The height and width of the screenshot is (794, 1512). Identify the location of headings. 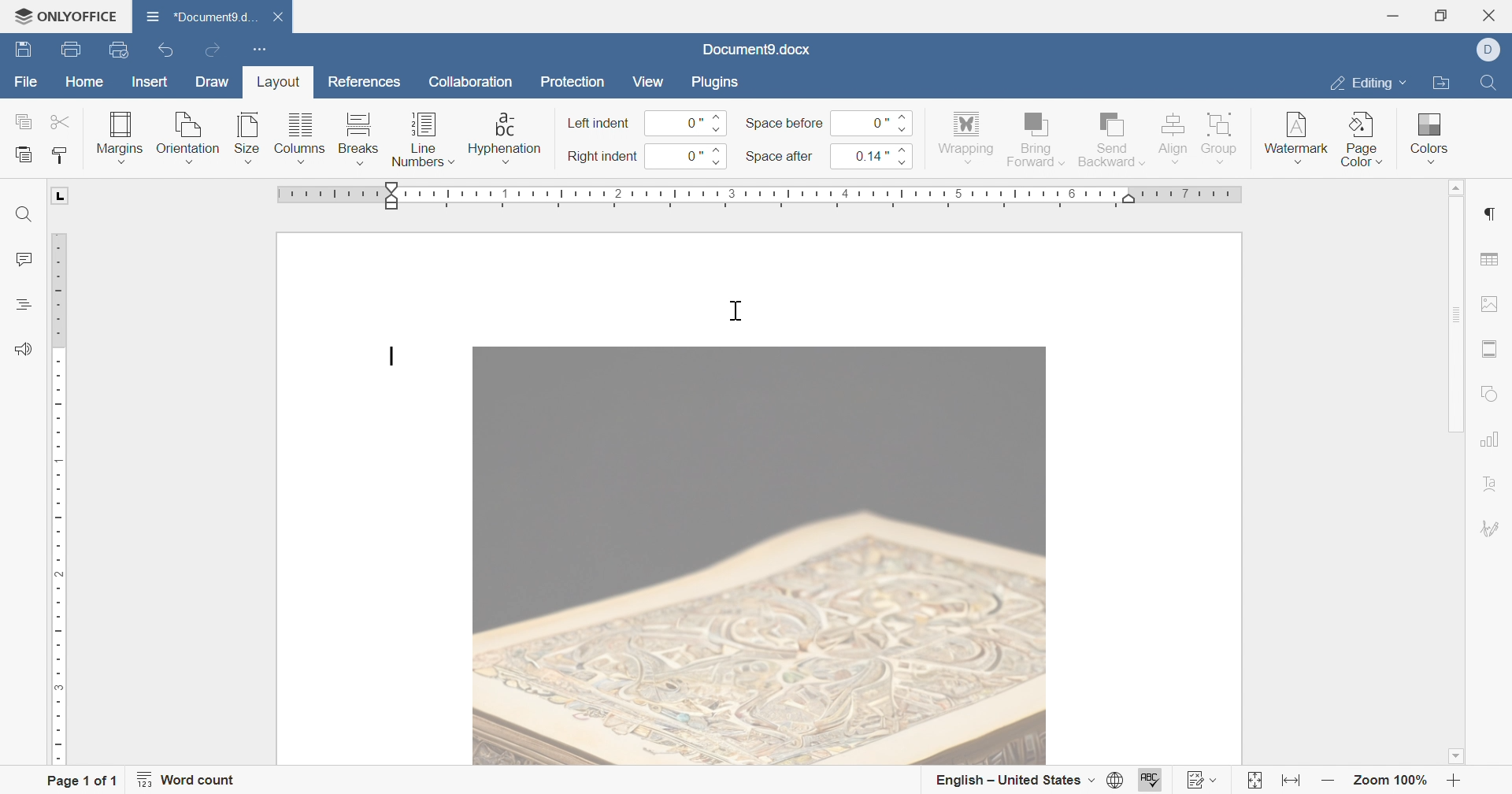
(21, 304).